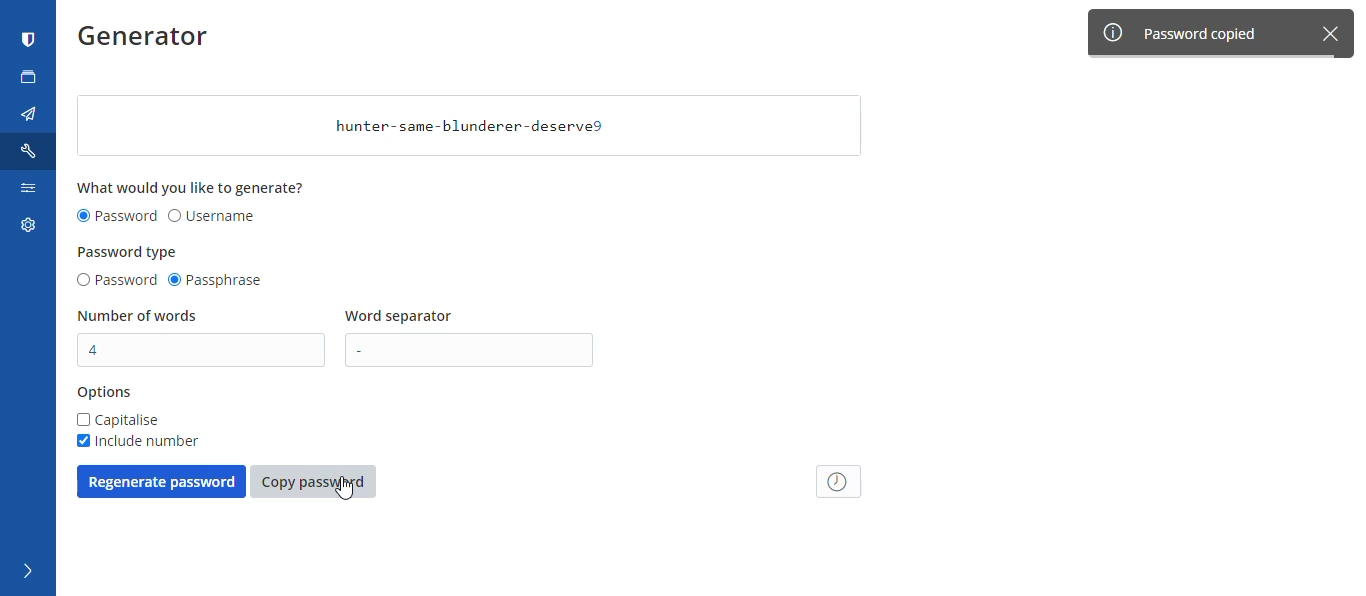  Describe the element at coordinates (1200, 33) in the screenshot. I see `password copied ` at that location.